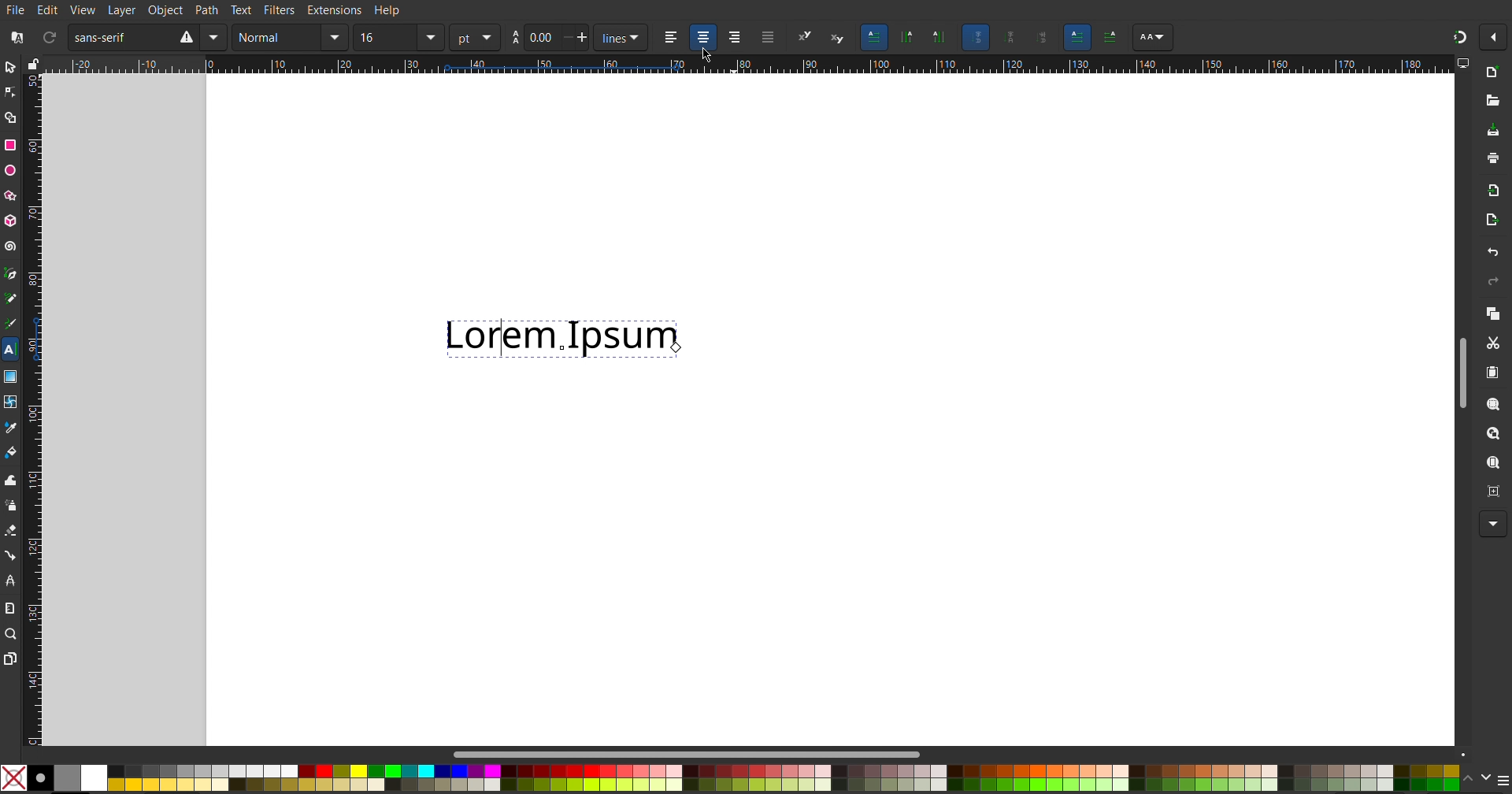  What do you see at coordinates (391, 11) in the screenshot?
I see `Help` at bounding box center [391, 11].